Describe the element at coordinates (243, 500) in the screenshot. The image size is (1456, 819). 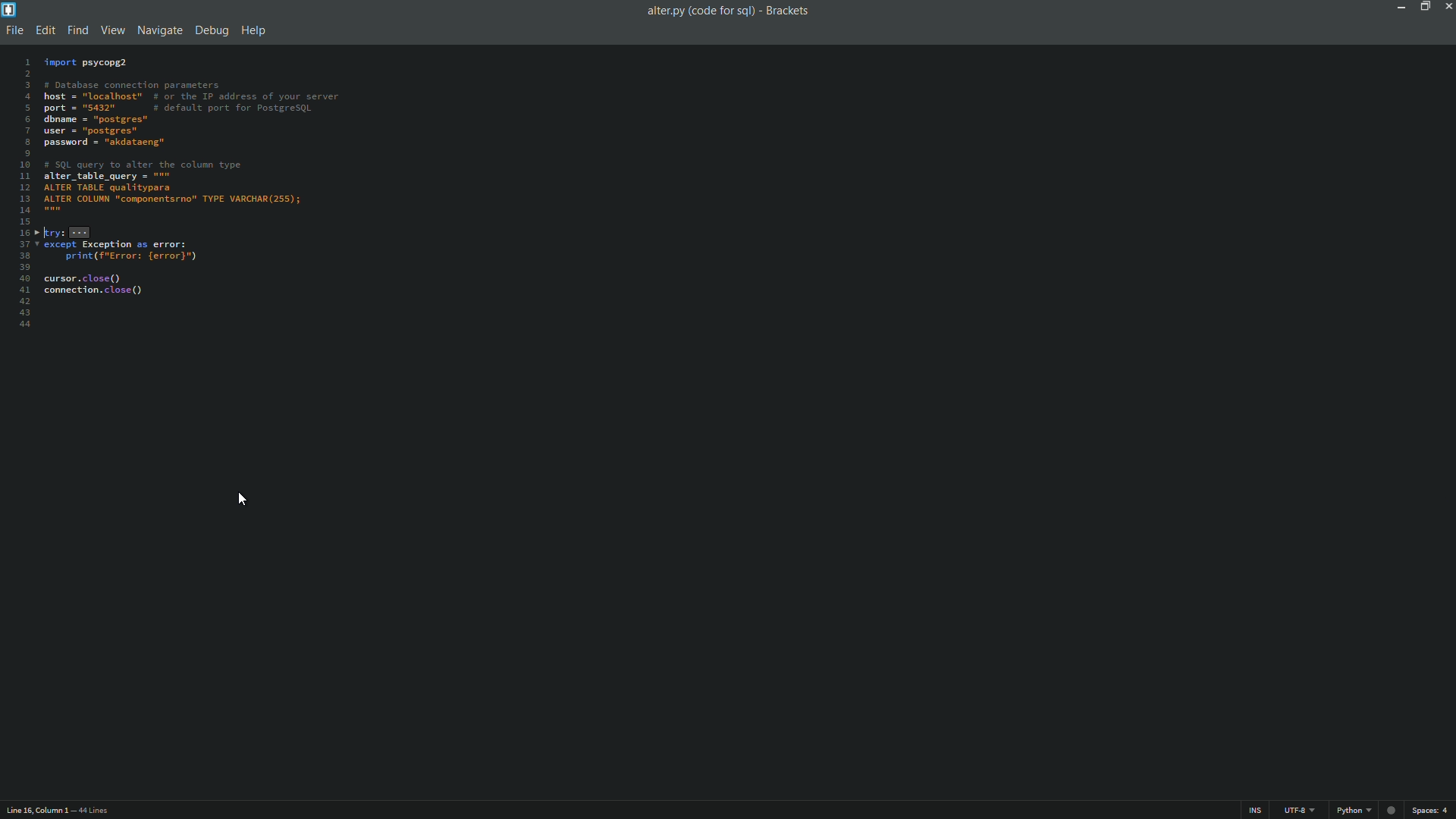
I see `current` at that location.